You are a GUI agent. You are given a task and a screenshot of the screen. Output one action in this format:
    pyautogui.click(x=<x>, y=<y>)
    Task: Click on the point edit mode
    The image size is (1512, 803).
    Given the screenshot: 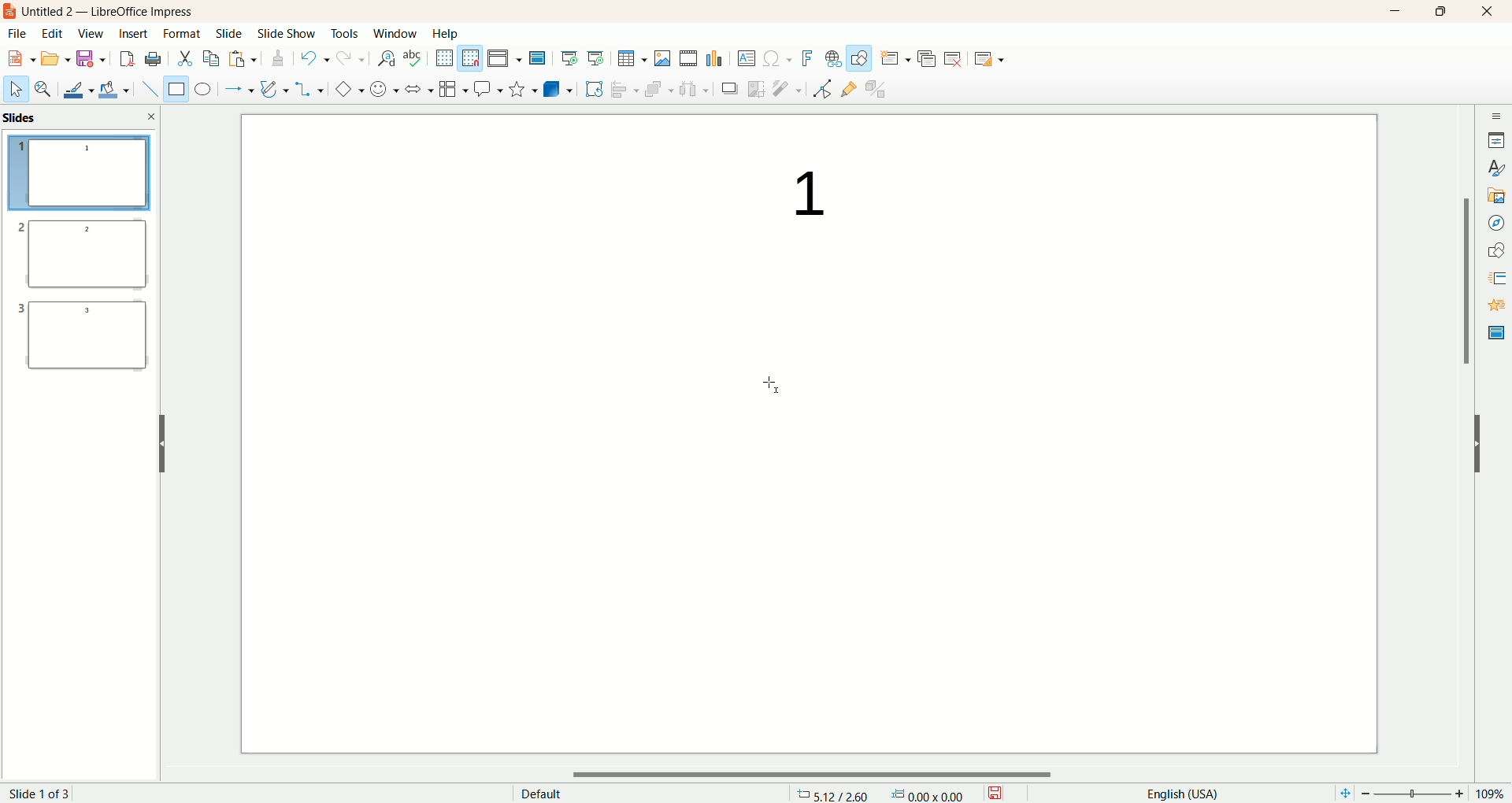 What is the action you would take?
    pyautogui.click(x=821, y=89)
    